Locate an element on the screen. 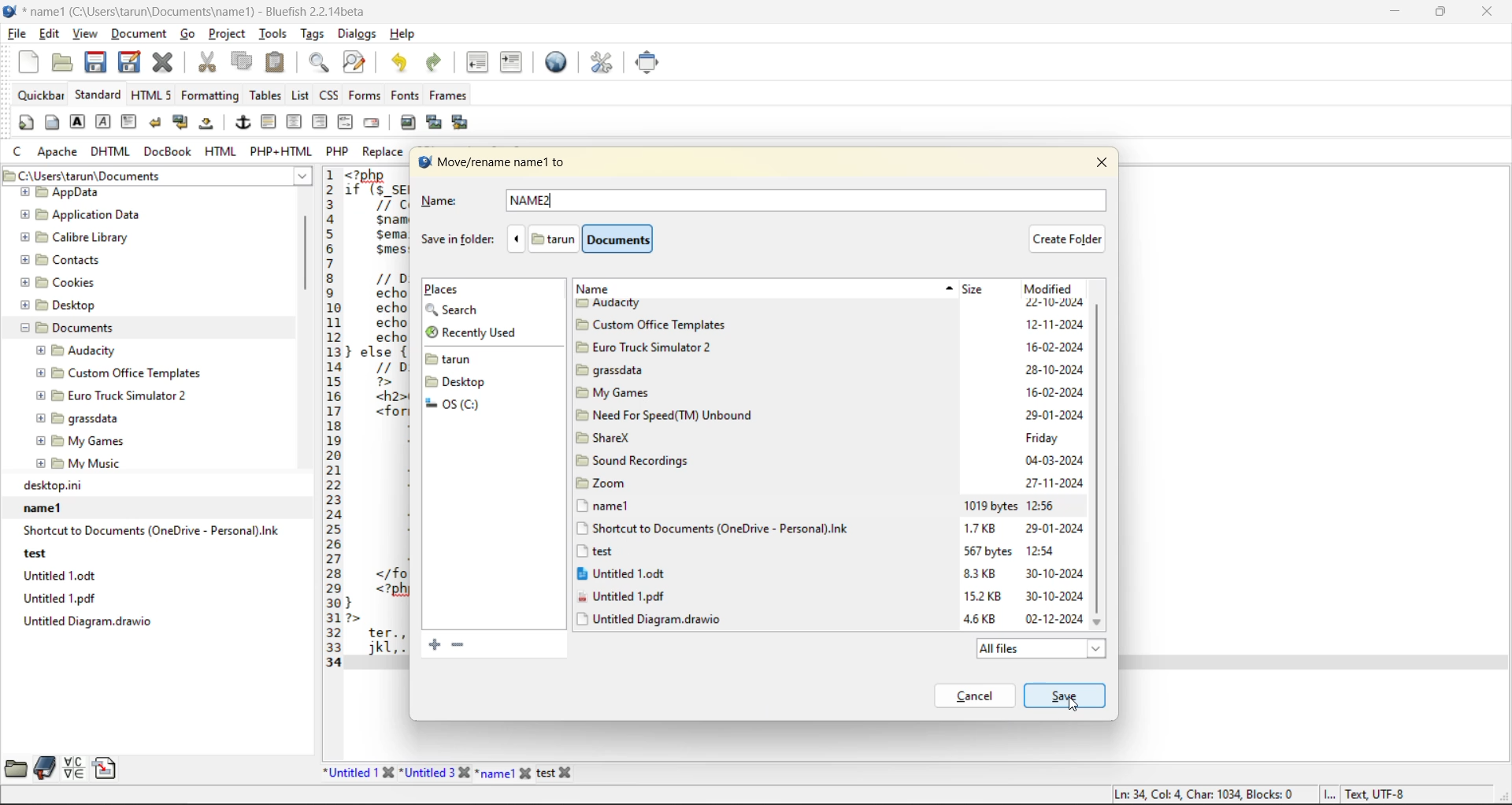 Image resolution: width=1512 pixels, height=805 pixels. move/rename is located at coordinates (497, 163).